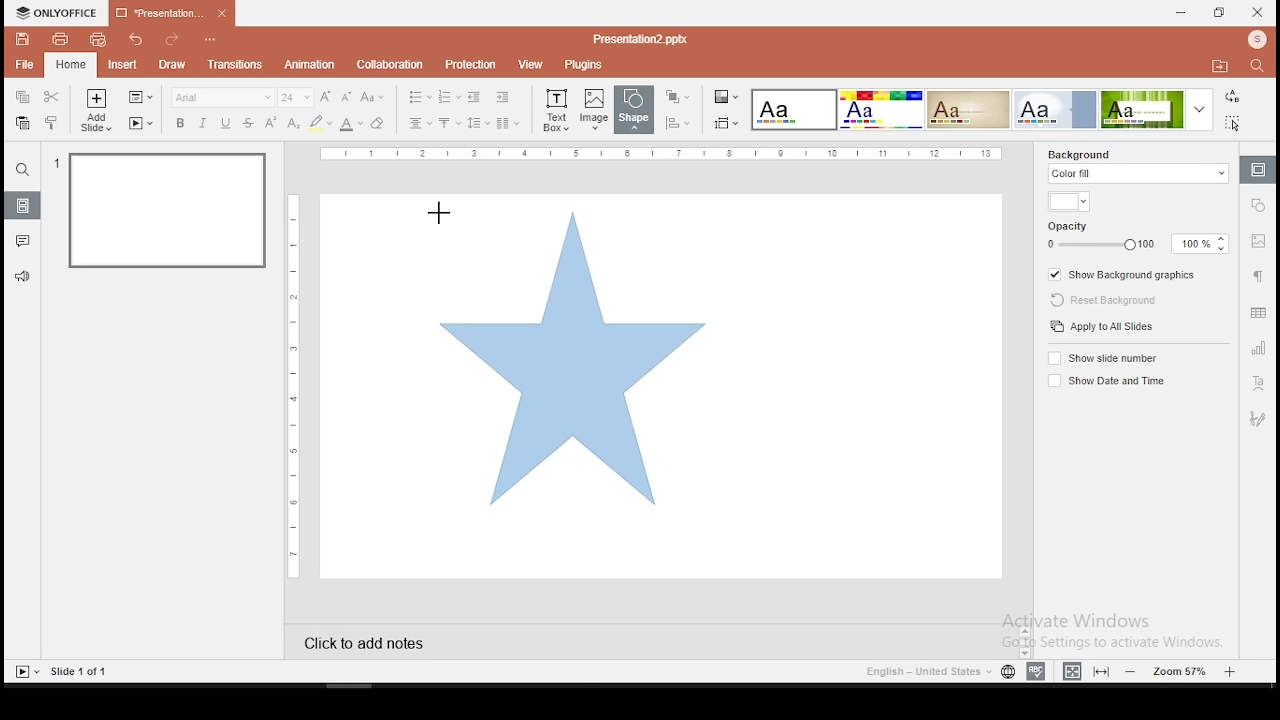 This screenshot has width=1280, height=720. Describe the element at coordinates (1236, 122) in the screenshot. I see `select all` at that location.